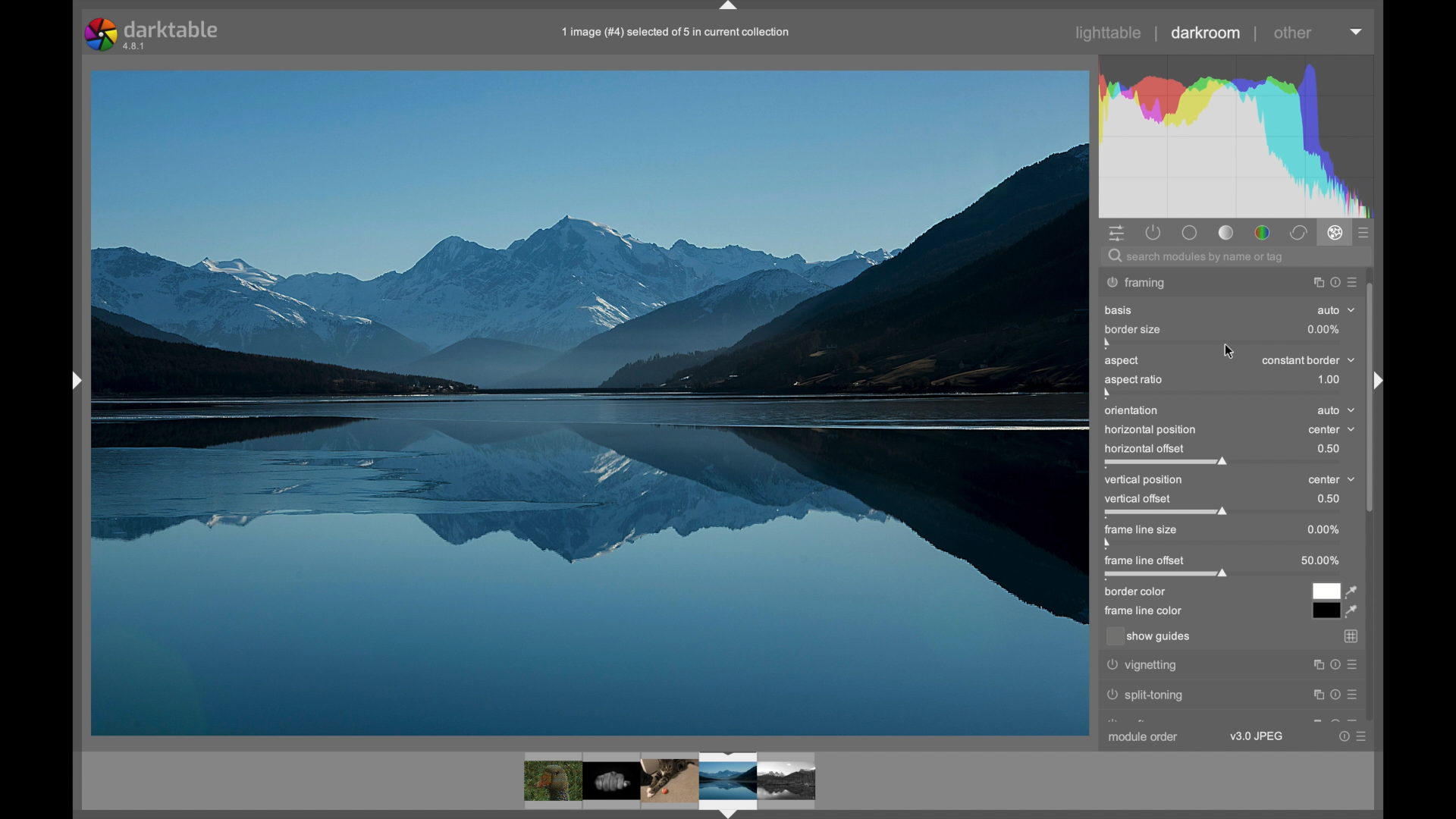 The width and height of the screenshot is (1456, 819). I want to click on more options, so click(1353, 738).